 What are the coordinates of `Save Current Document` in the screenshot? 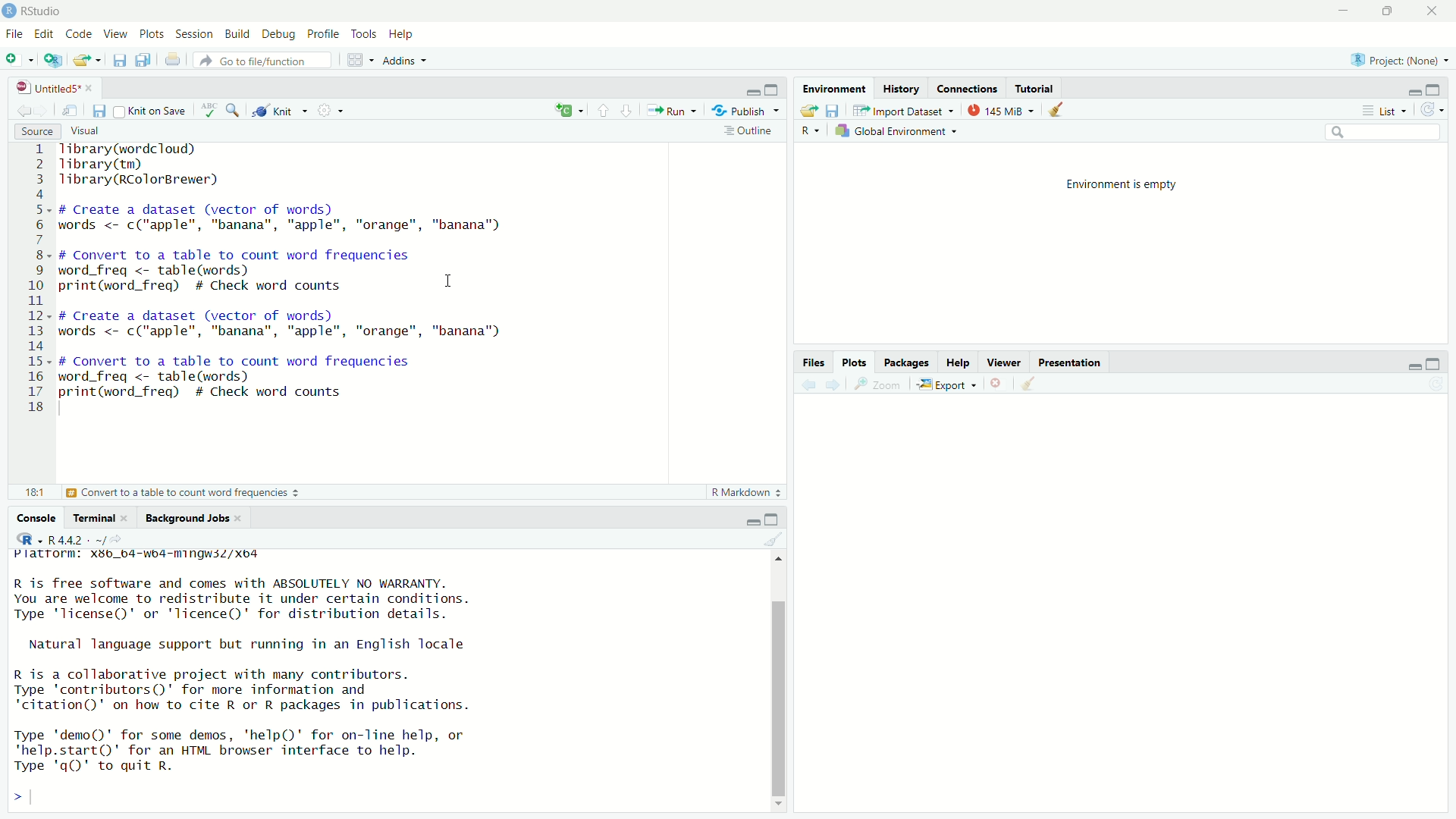 It's located at (118, 61).